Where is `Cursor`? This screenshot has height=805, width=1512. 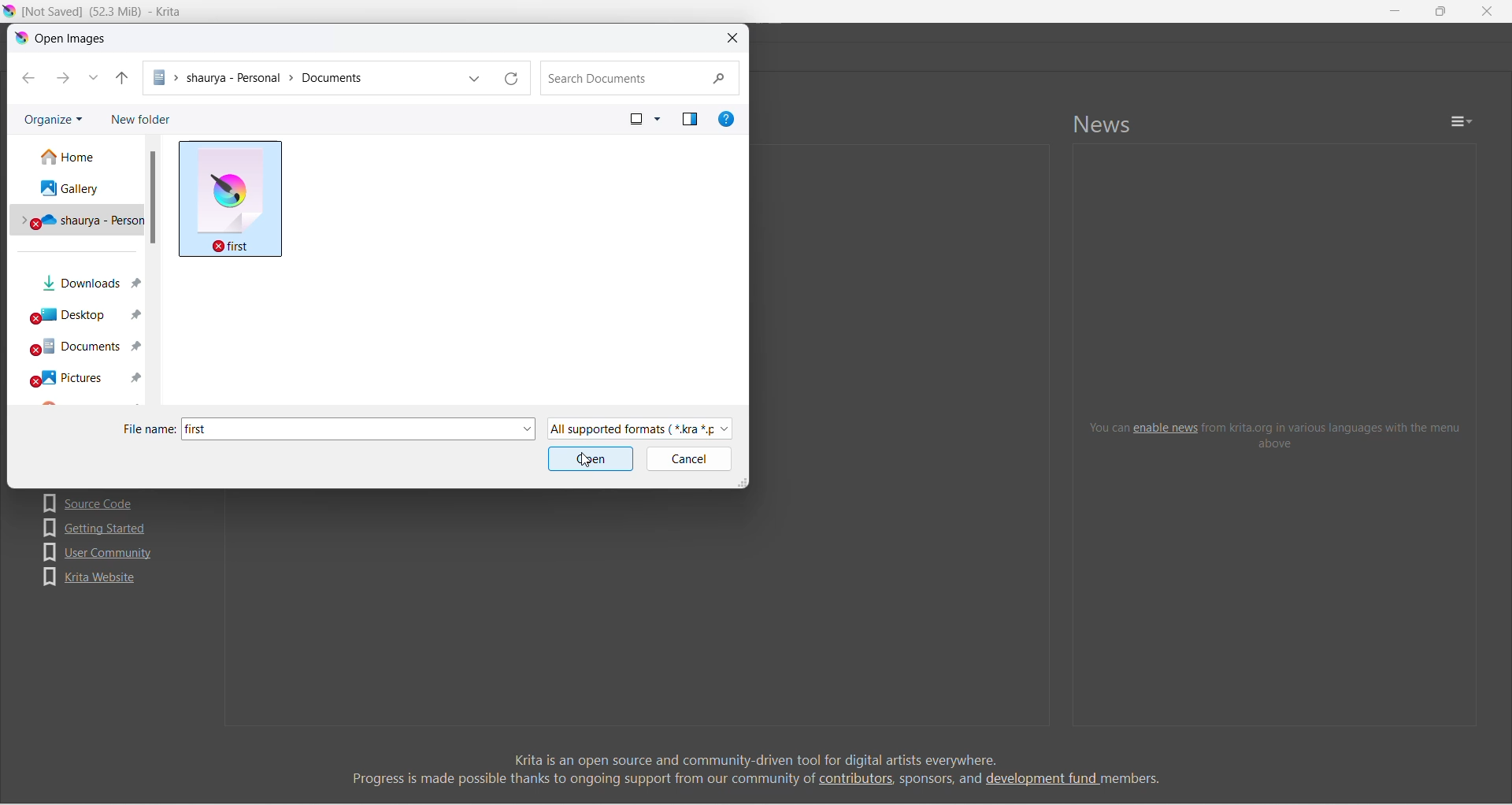
Cursor is located at coordinates (586, 459).